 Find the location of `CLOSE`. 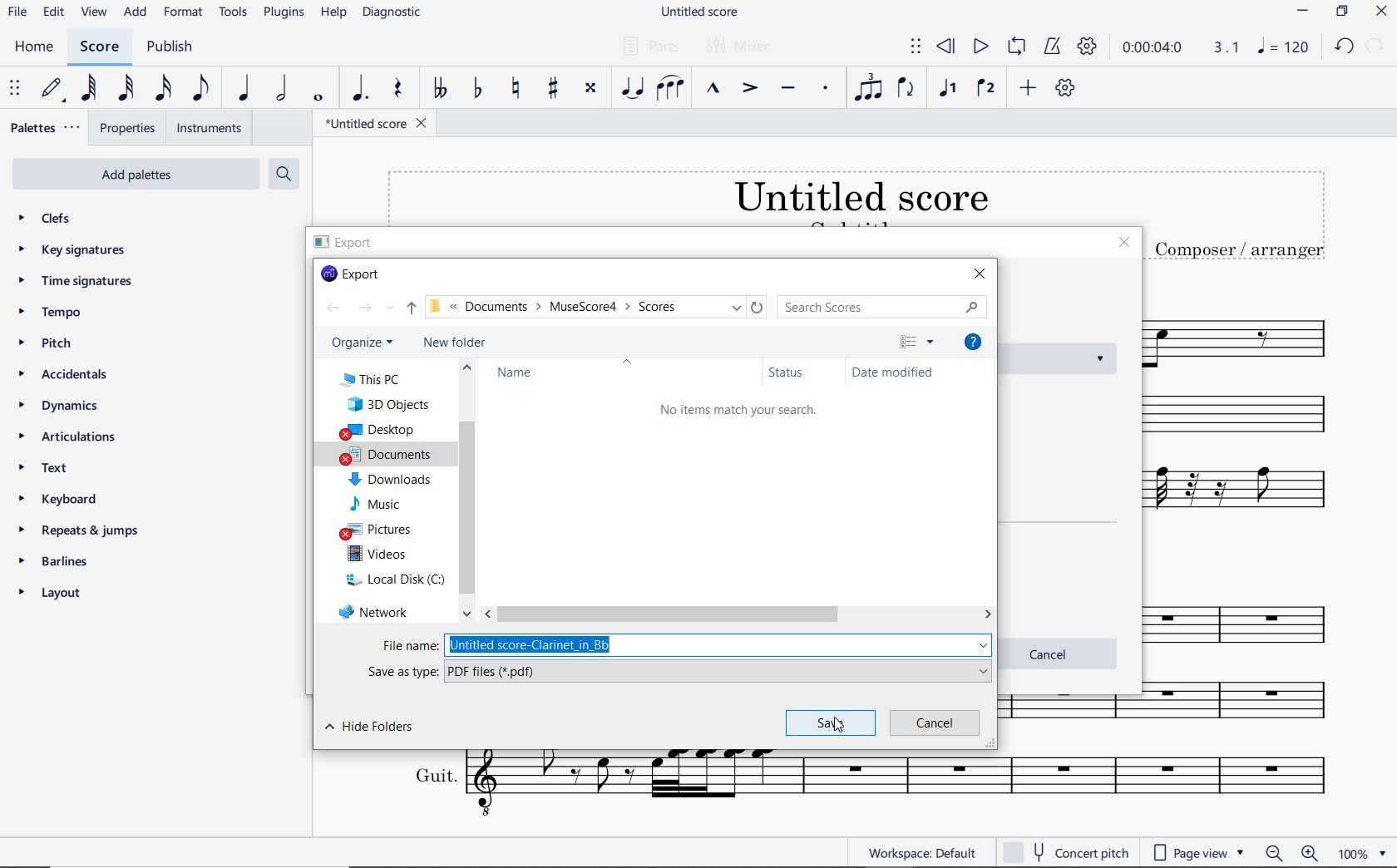

CLOSE is located at coordinates (1381, 11).